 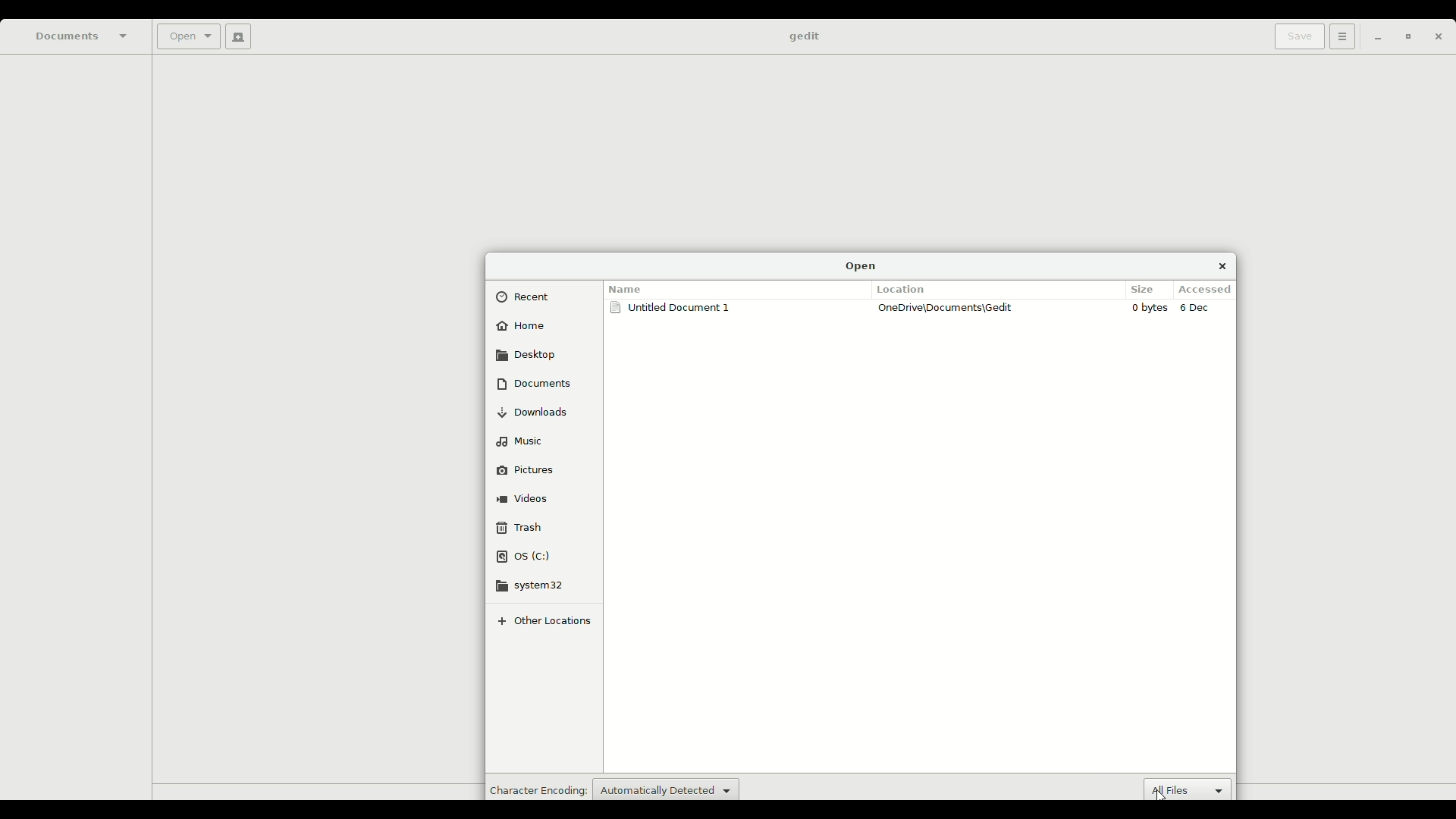 What do you see at coordinates (1209, 290) in the screenshot?
I see `Accessed` at bounding box center [1209, 290].